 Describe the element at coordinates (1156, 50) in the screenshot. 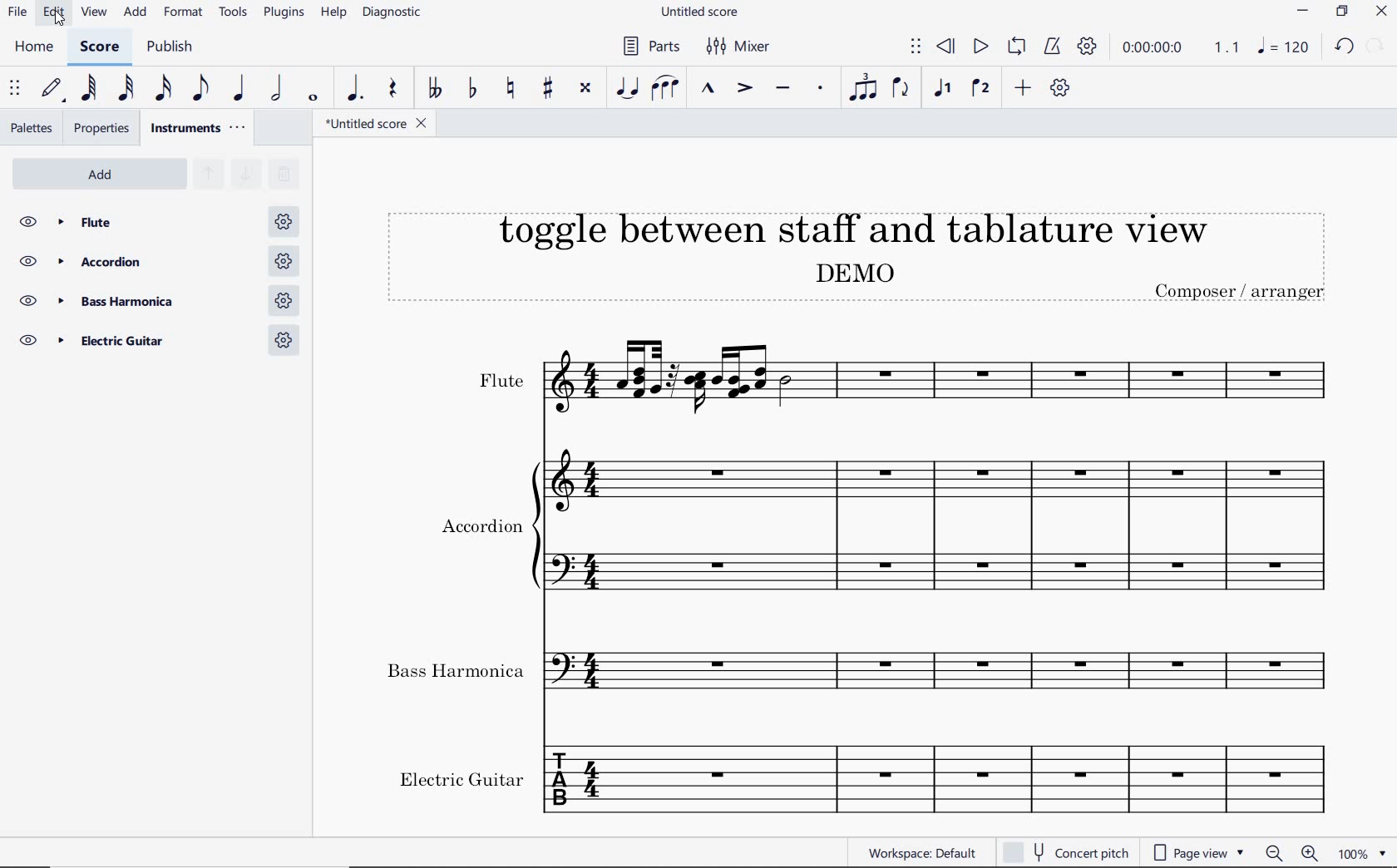

I see `playback time` at that location.